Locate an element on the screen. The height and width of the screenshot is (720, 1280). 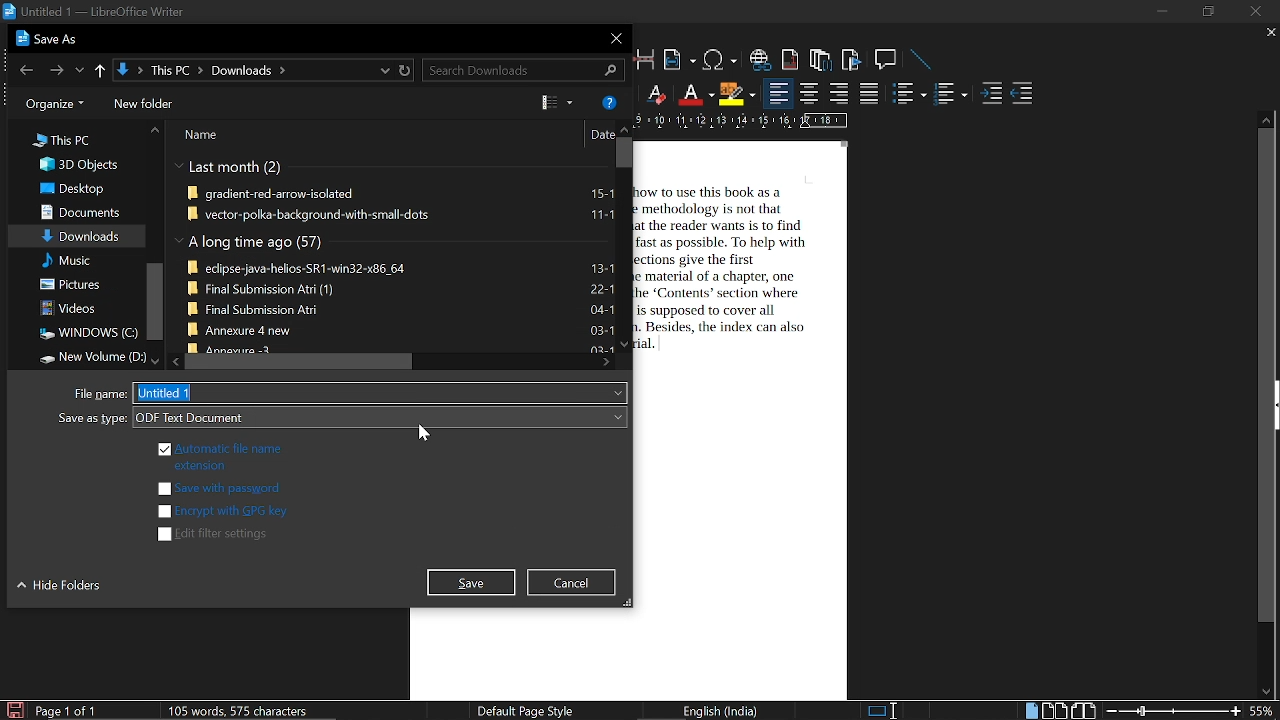
Last month (2) is located at coordinates (230, 168).